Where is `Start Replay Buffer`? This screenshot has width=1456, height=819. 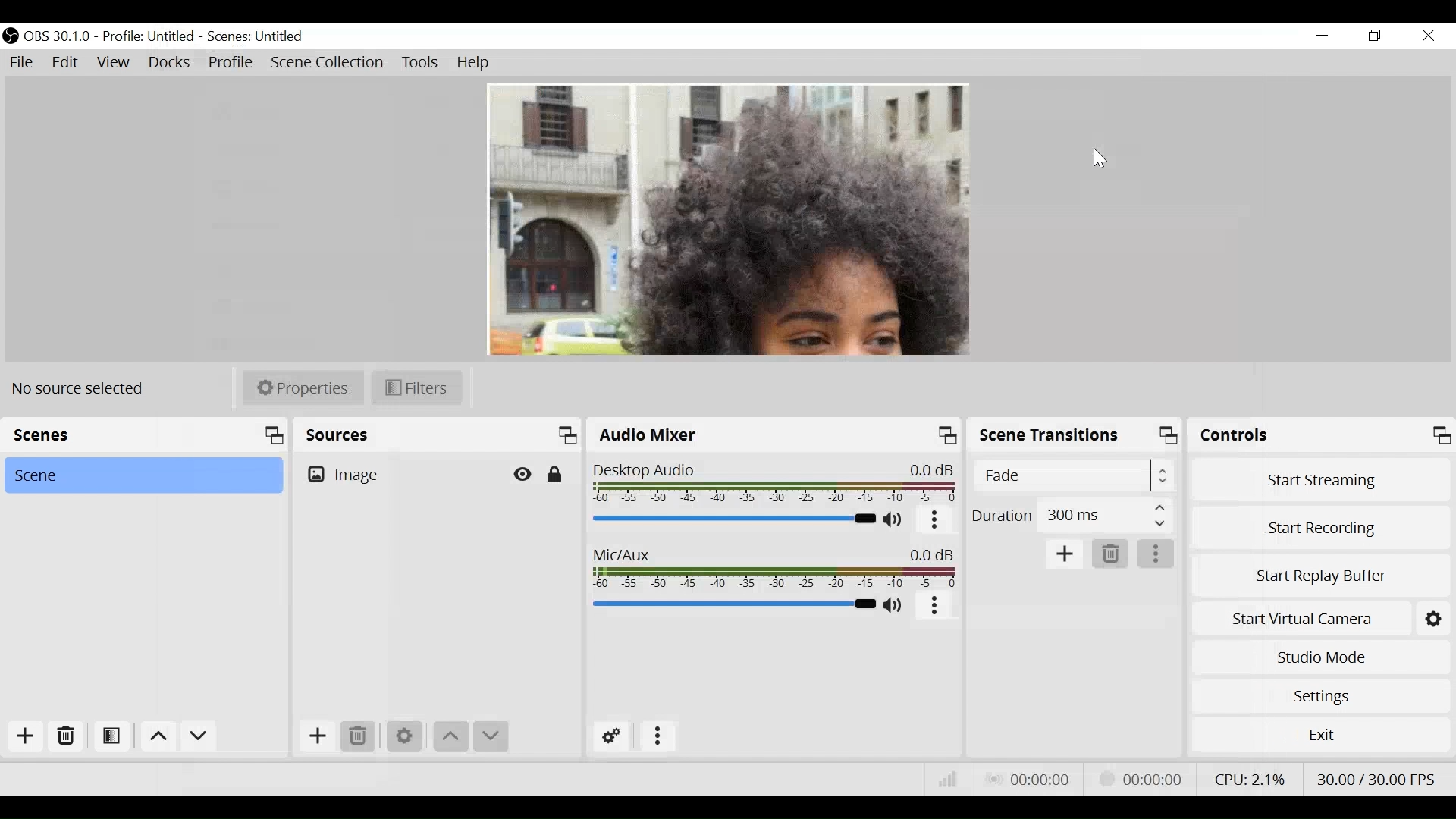 Start Replay Buffer is located at coordinates (1321, 573).